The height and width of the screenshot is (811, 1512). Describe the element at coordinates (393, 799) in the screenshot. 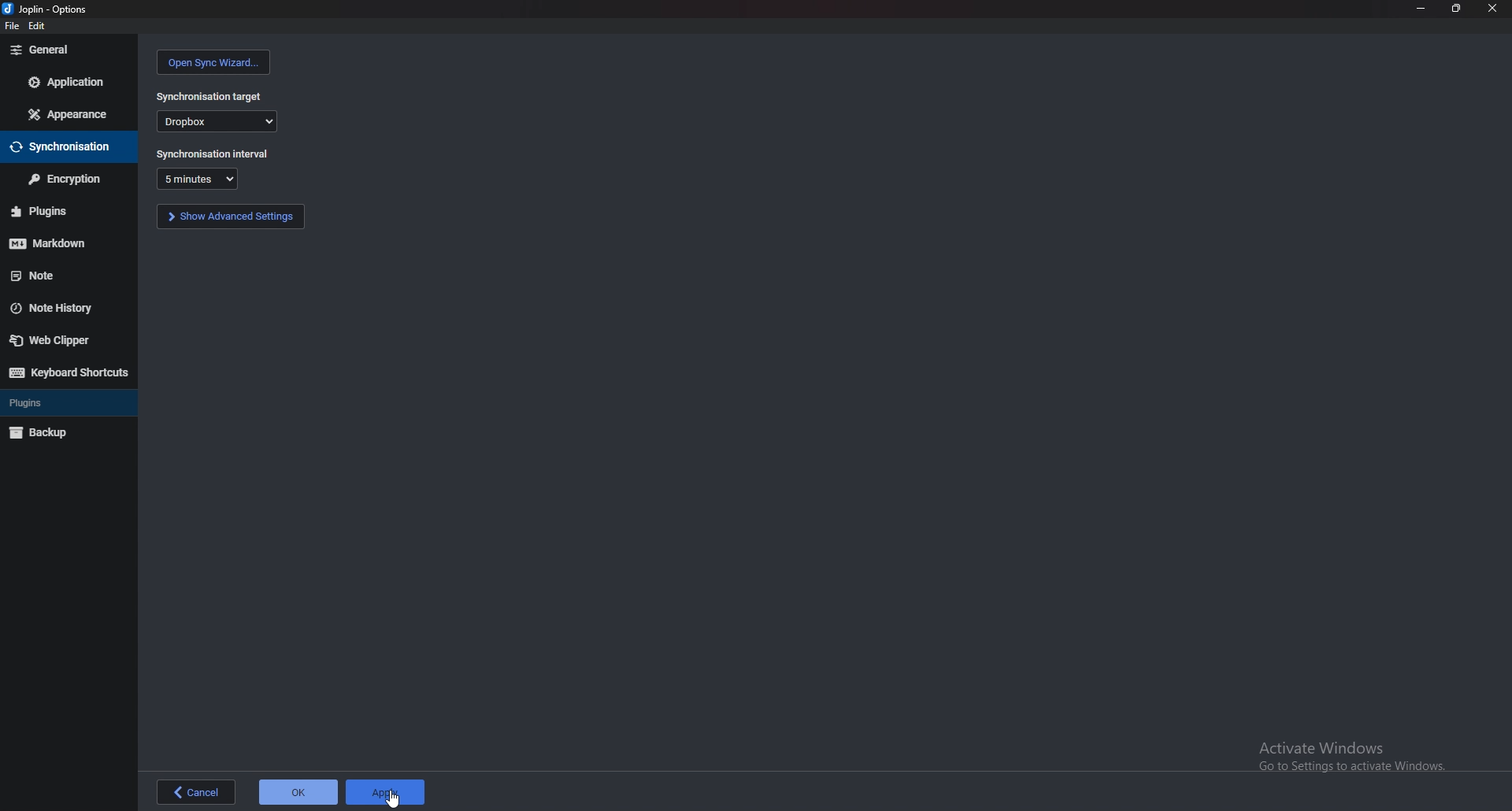

I see `cursor` at that location.